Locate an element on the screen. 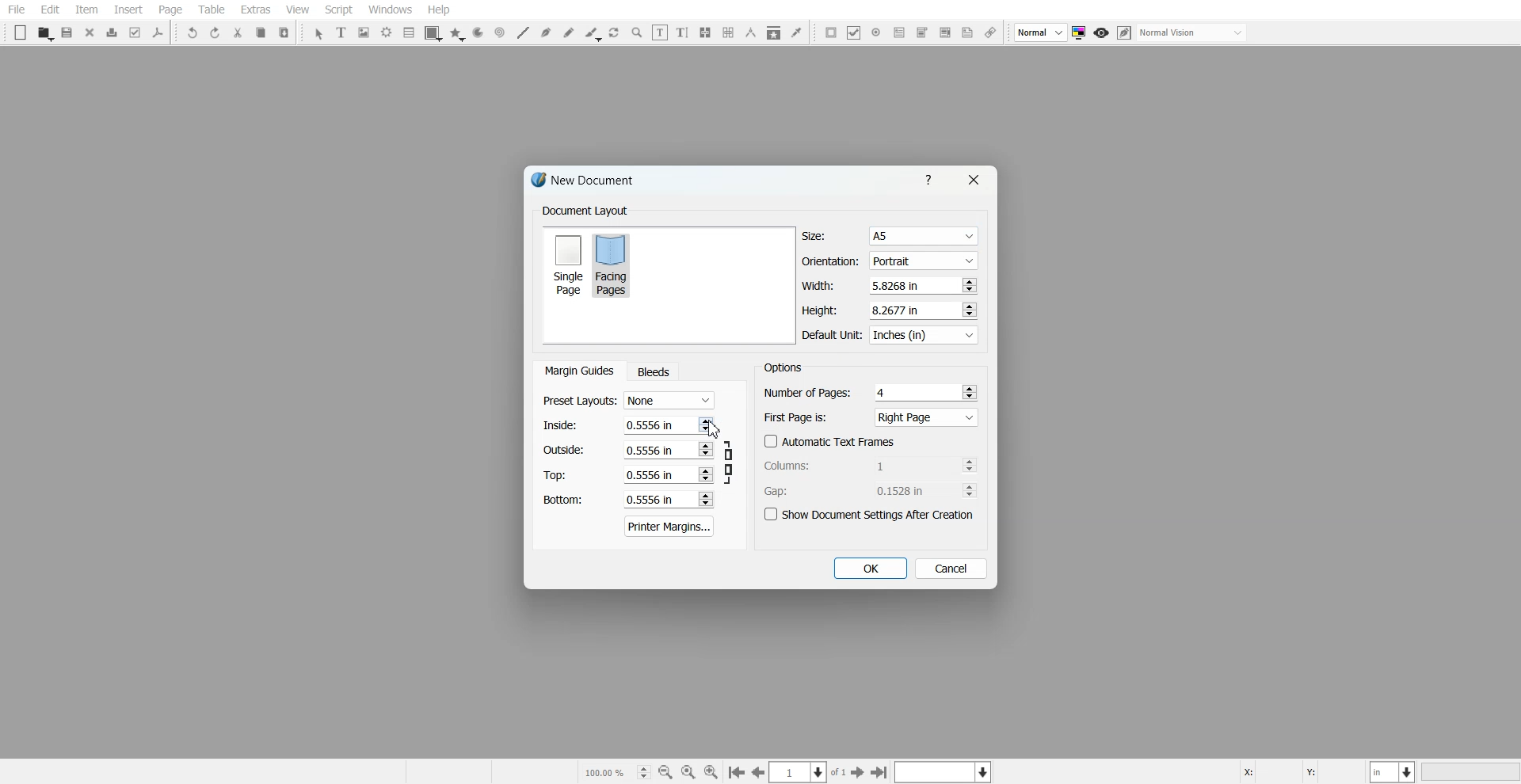 The image size is (1521, 784). Measurement in Inches is located at coordinates (1393, 771).